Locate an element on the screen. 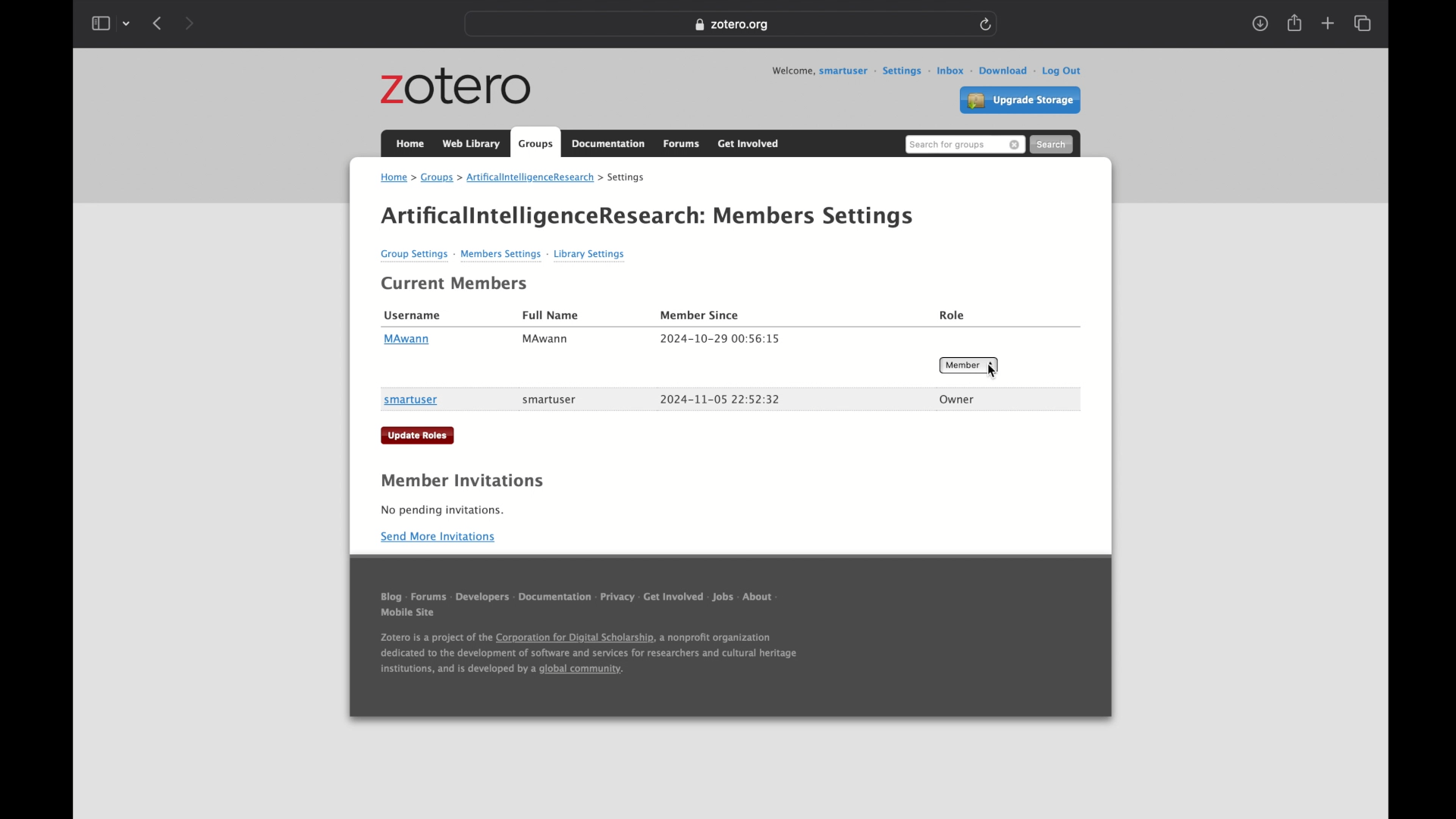 This screenshot has height=819, width=1456. show sidebar is located at coordinates (100, 24).